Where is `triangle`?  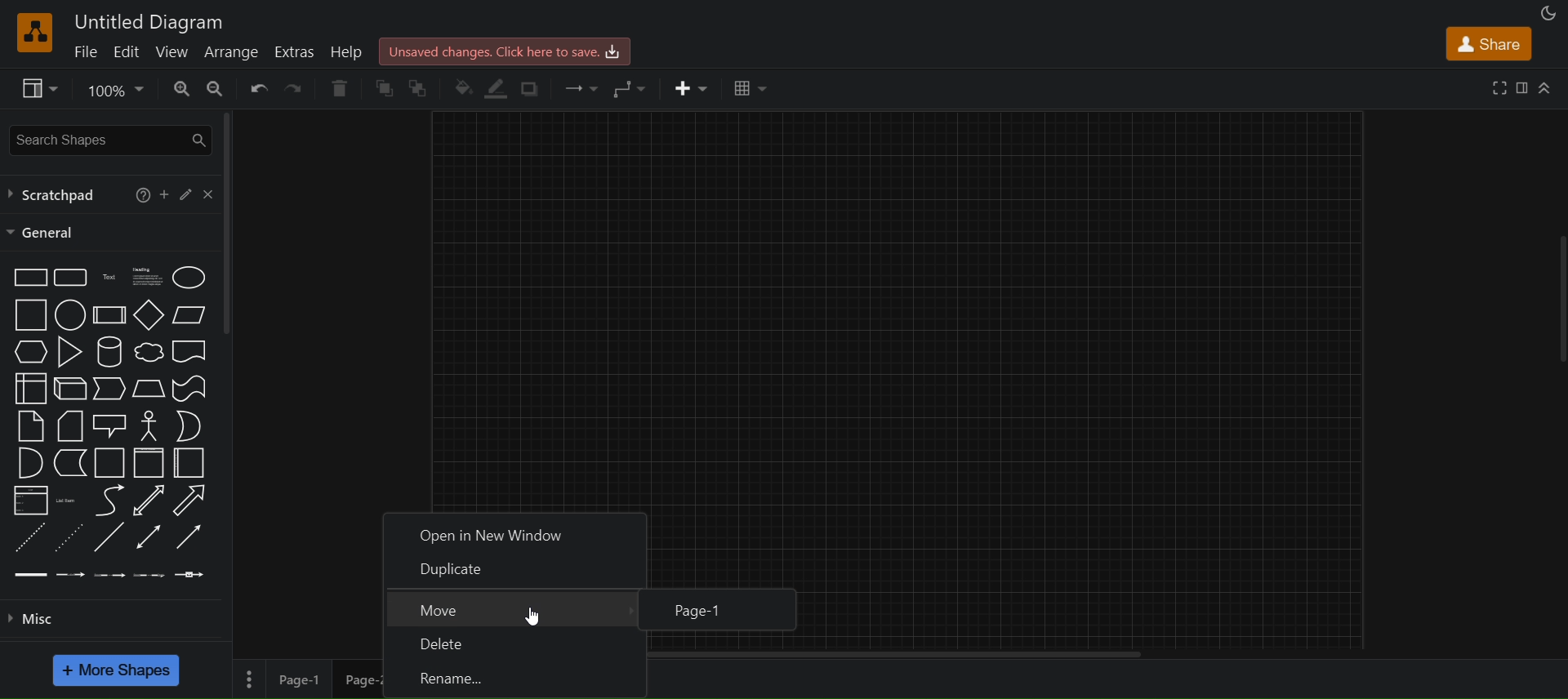
triangle is located at coordinates (71, 351).